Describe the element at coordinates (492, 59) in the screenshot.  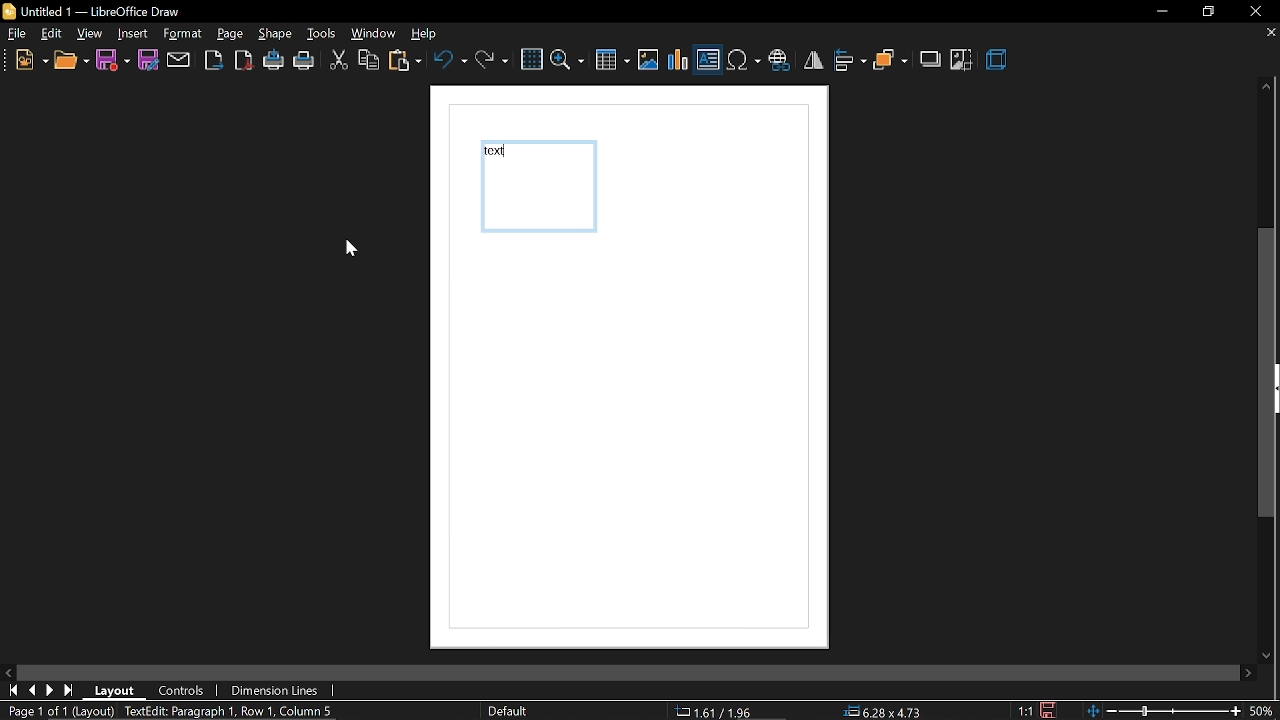
I see `redo` at that location.